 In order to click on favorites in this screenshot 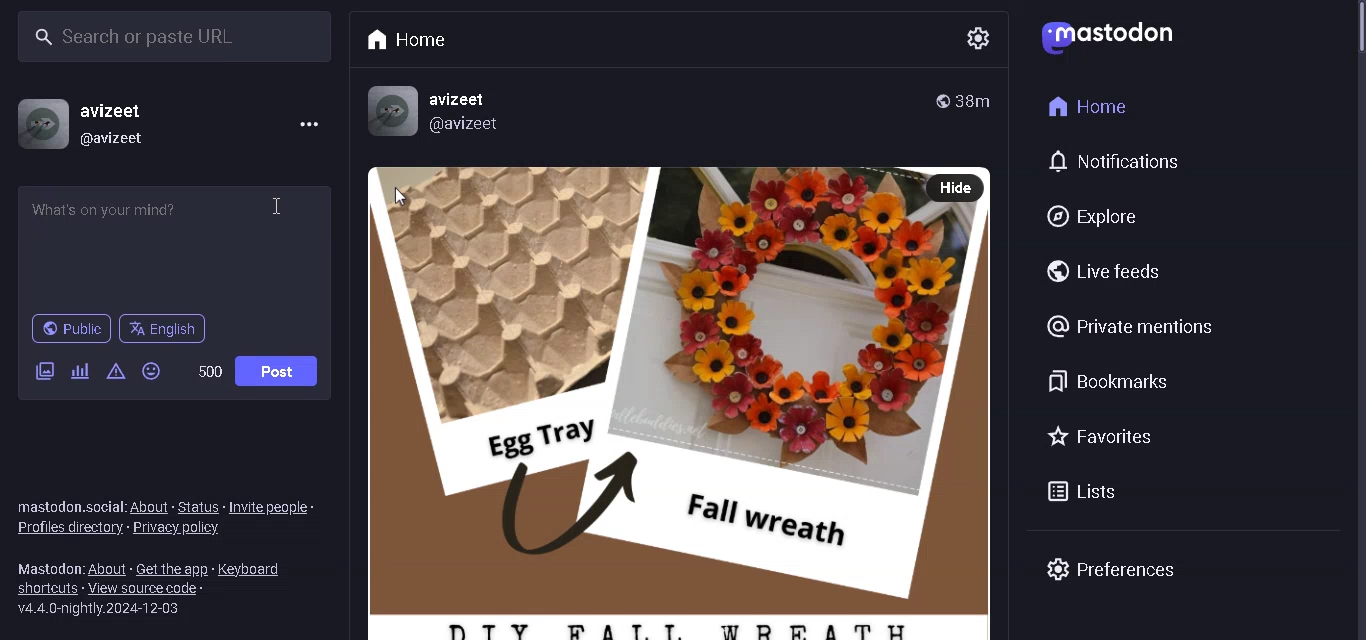, I will do `click(1100, 439)`.